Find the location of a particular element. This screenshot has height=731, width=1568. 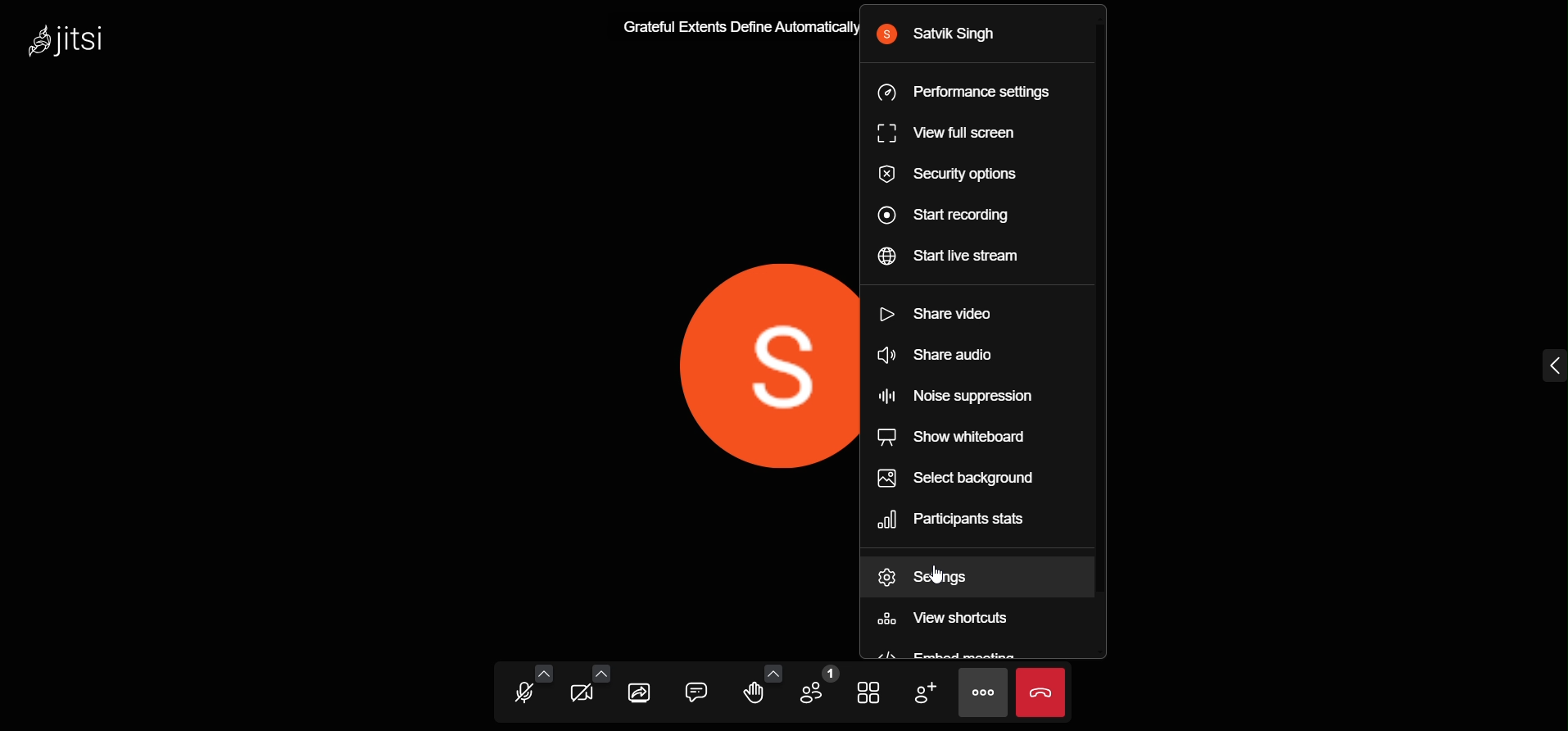

participants is located at coordinates (813, 687).